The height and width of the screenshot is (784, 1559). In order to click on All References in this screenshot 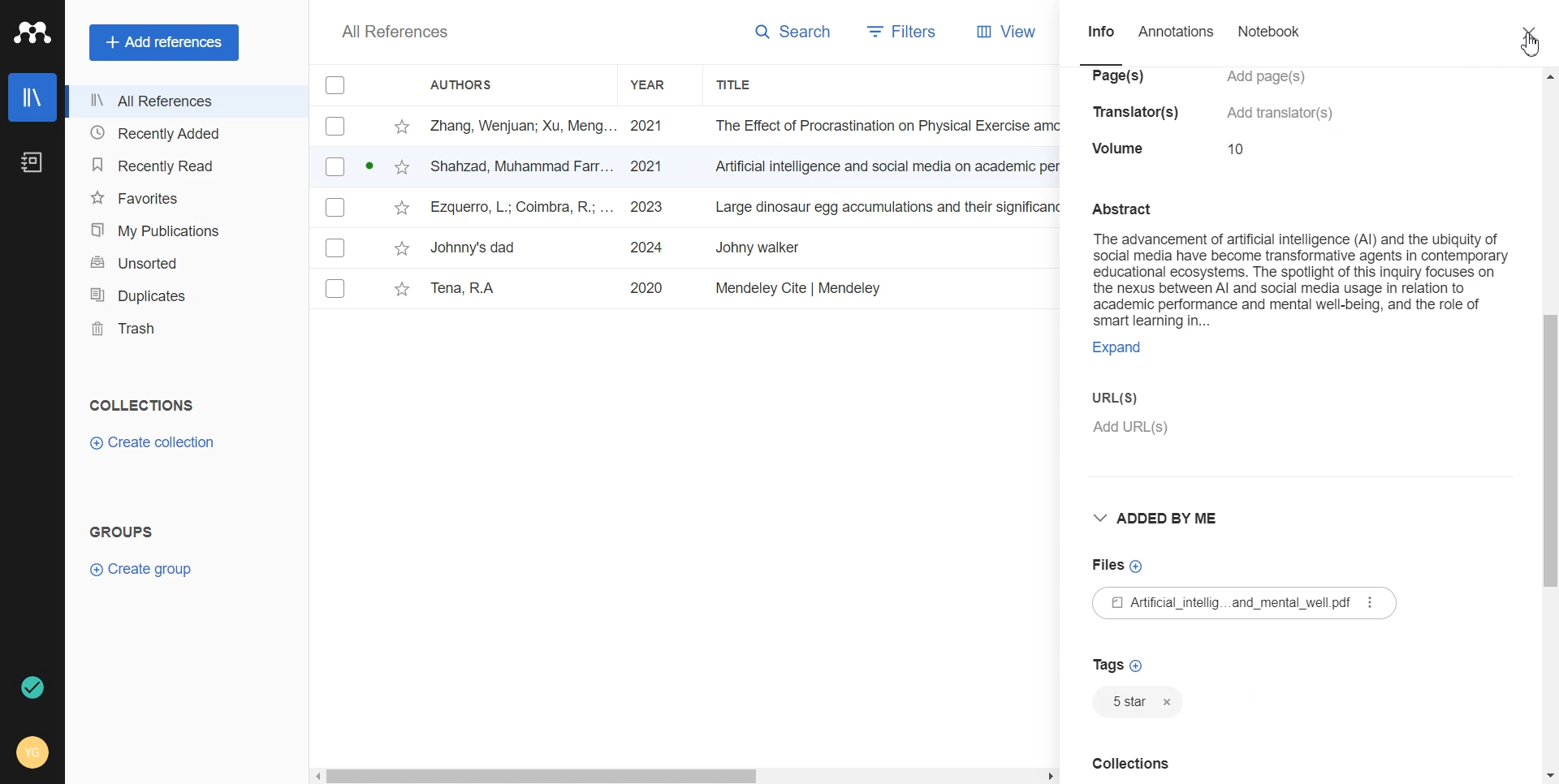, I will do `click(184, 102)`.